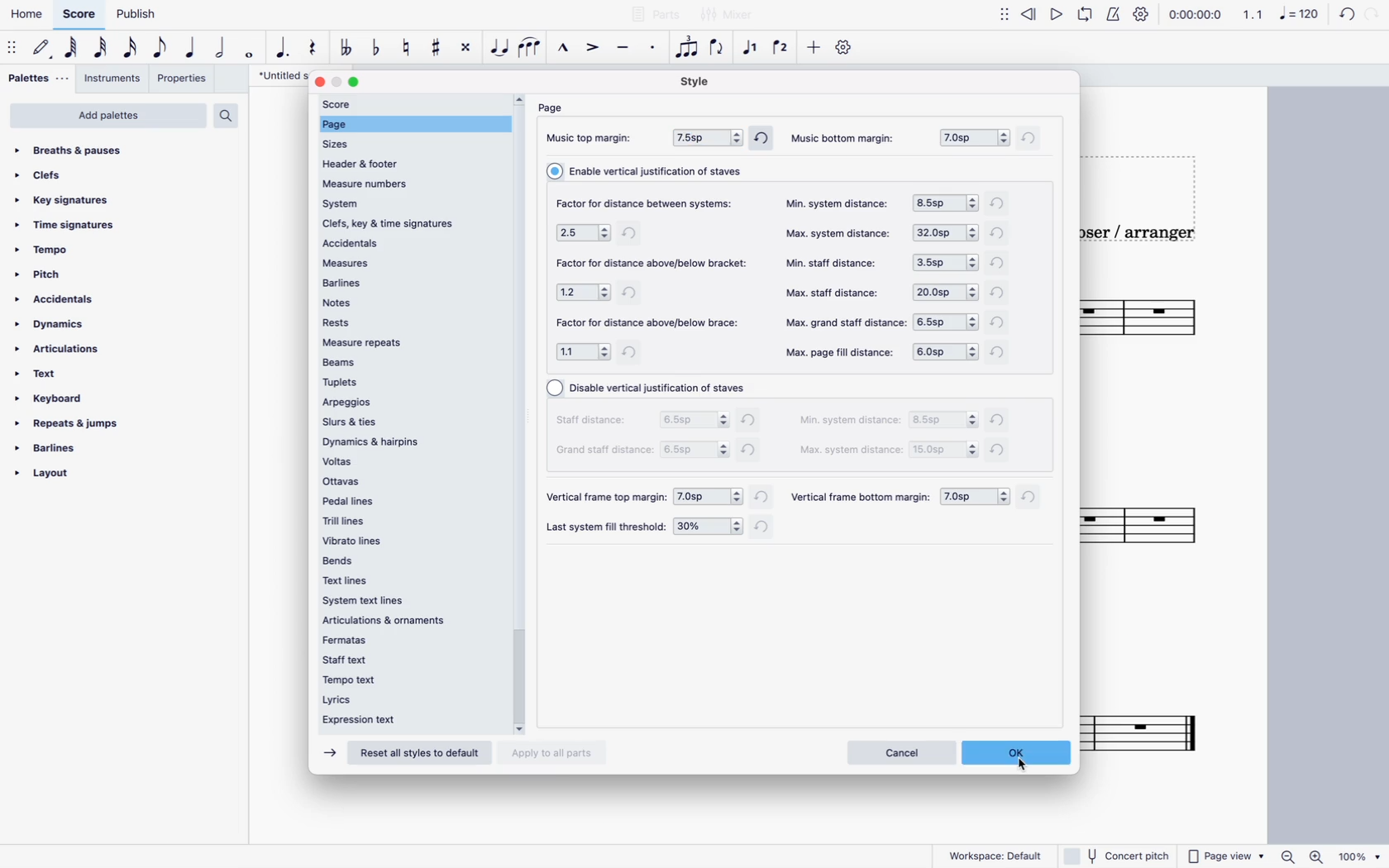 This screenshot has height=868, width=1389. I want to click on refresh, so click(999, 351).